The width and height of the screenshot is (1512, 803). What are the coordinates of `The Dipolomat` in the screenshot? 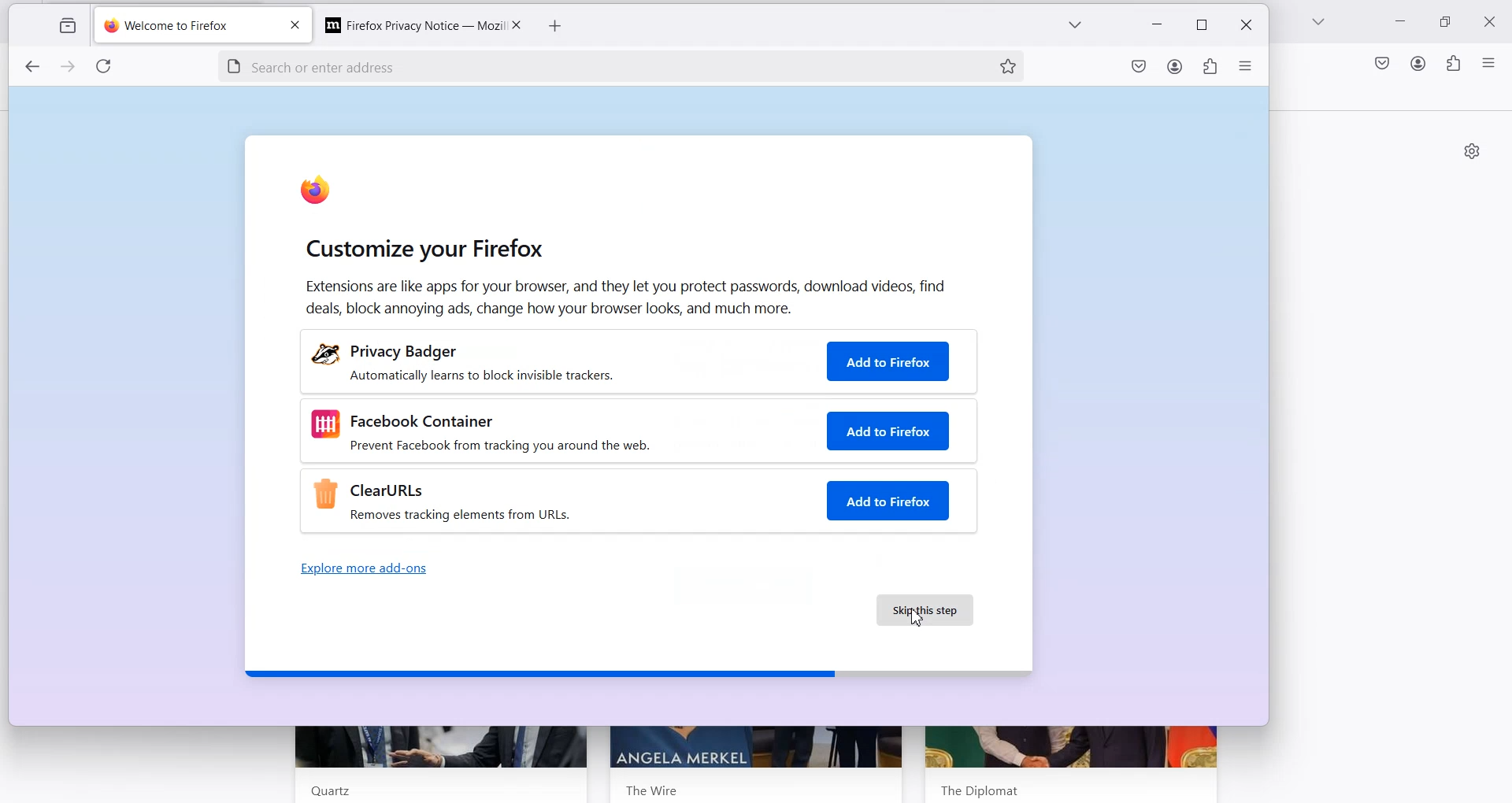 It's located at (975, 787).